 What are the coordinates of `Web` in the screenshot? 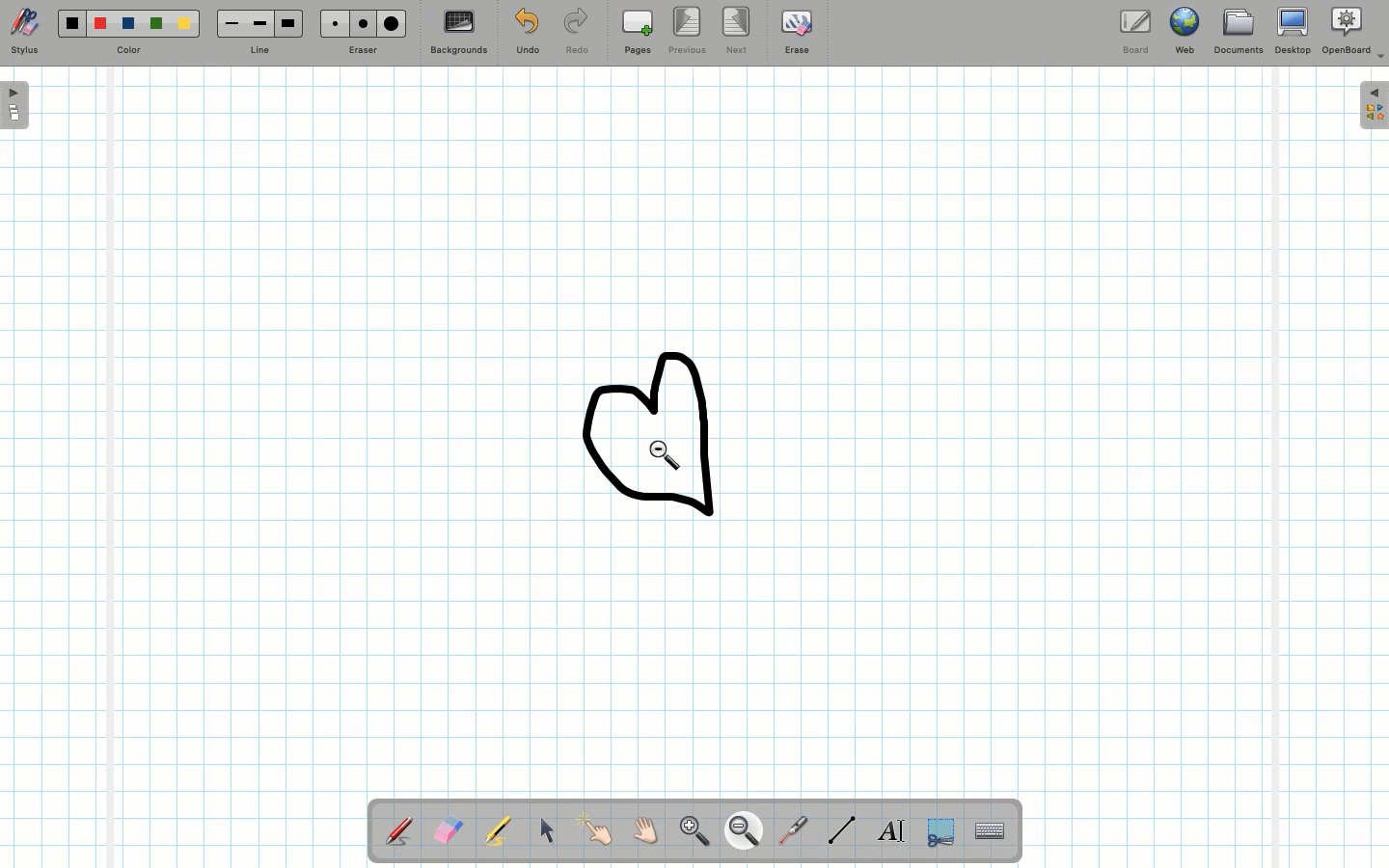 It's located at (1187, 30).